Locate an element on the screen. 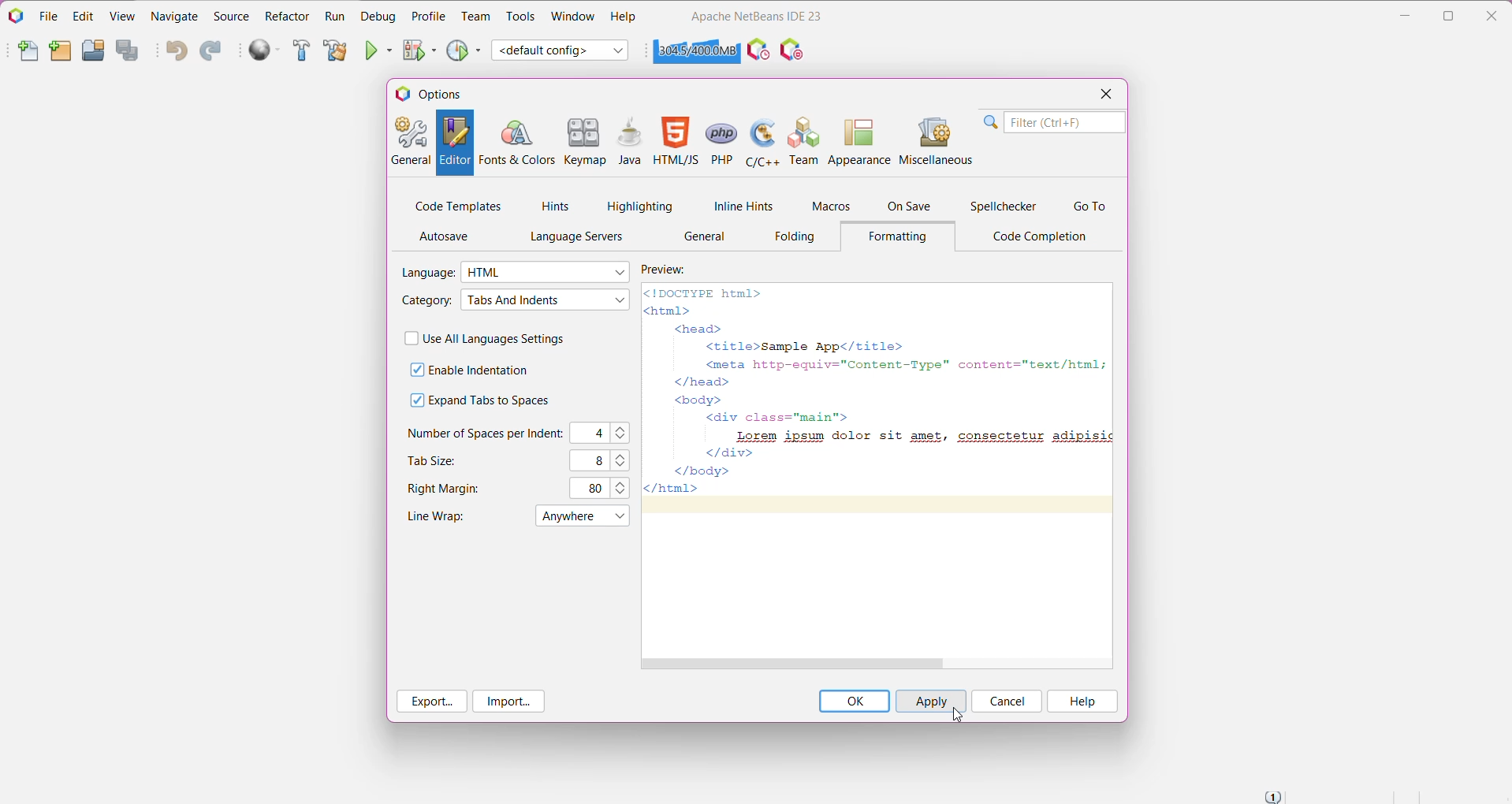  Highlighting is located at coordinates (640, 206).